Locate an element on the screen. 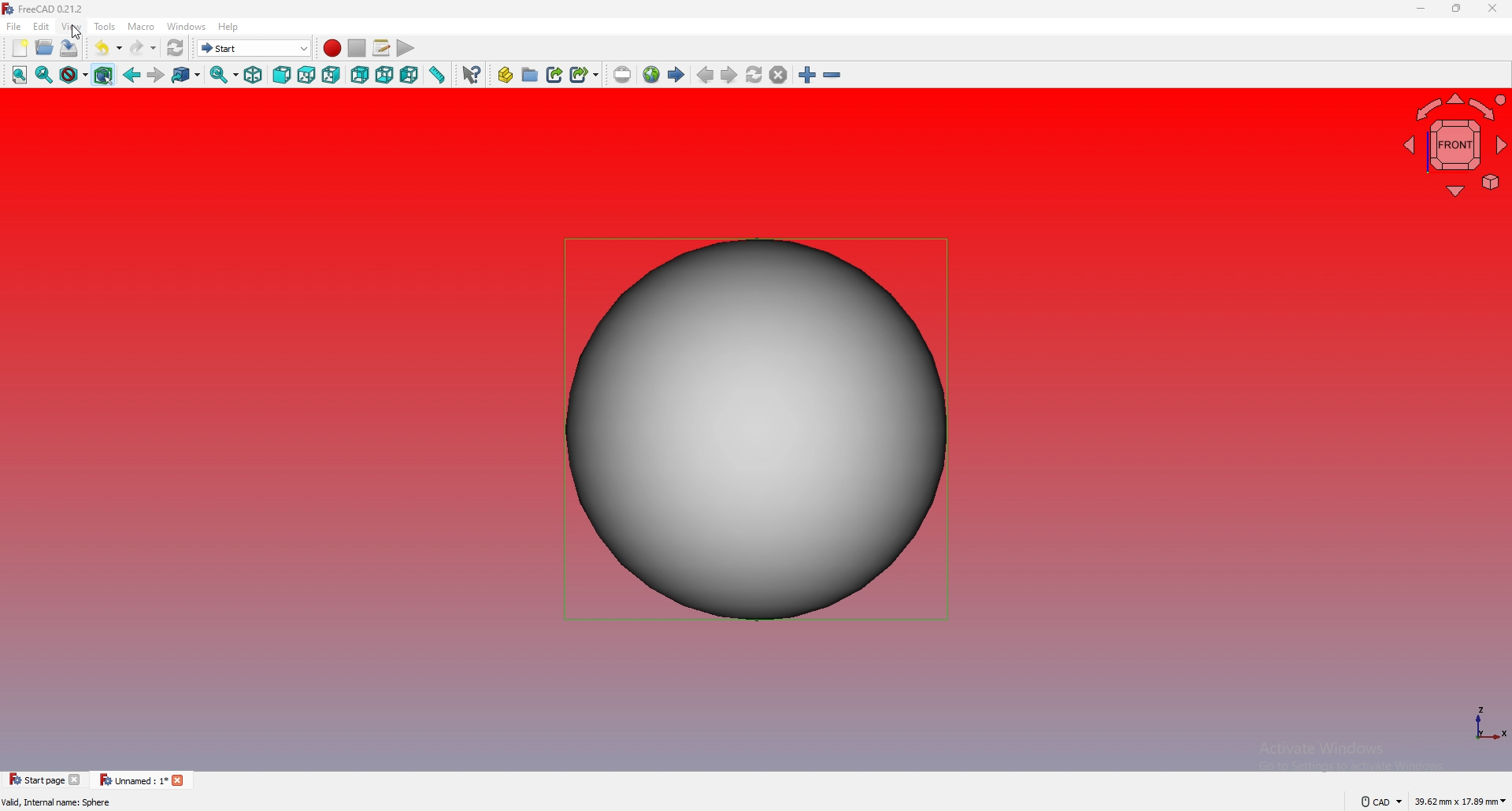 The width and height of the screenshot is (1512, 811). tools is located at coordinates (106, 27).